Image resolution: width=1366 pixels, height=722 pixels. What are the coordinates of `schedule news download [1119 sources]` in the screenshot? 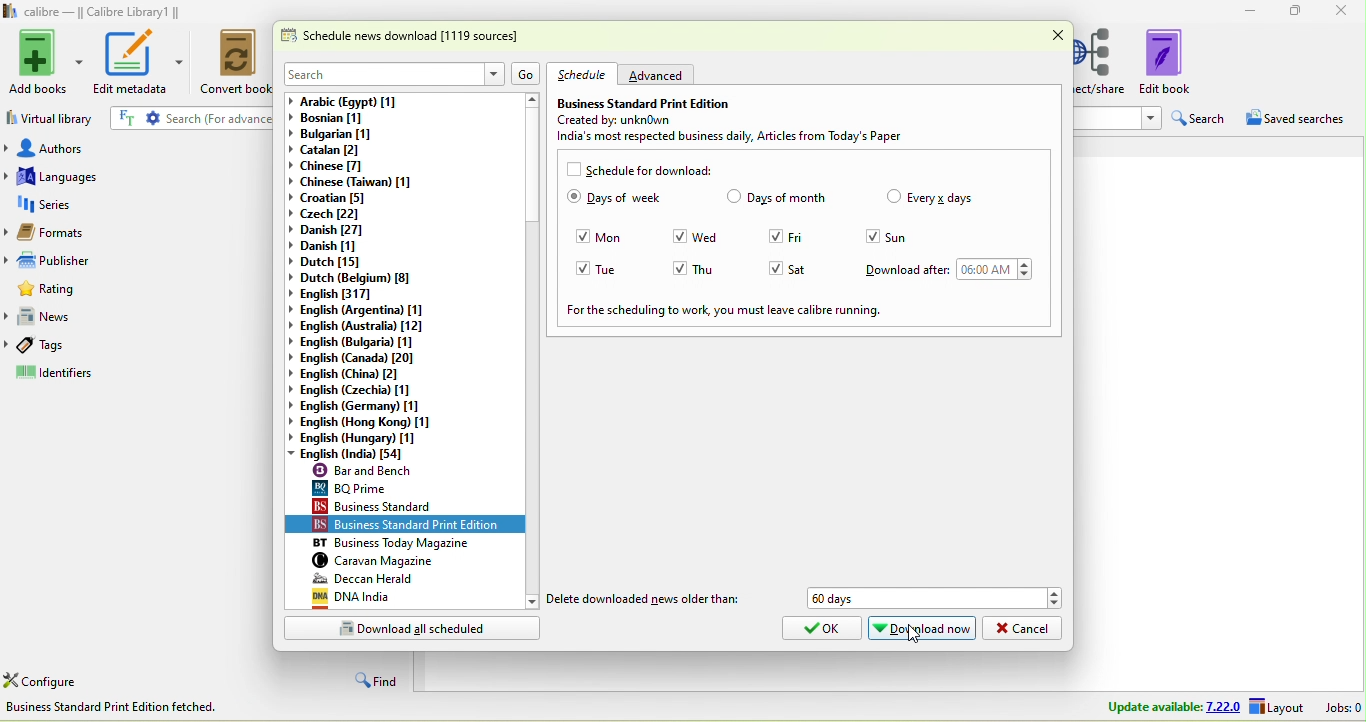 It's located at (407, 40).